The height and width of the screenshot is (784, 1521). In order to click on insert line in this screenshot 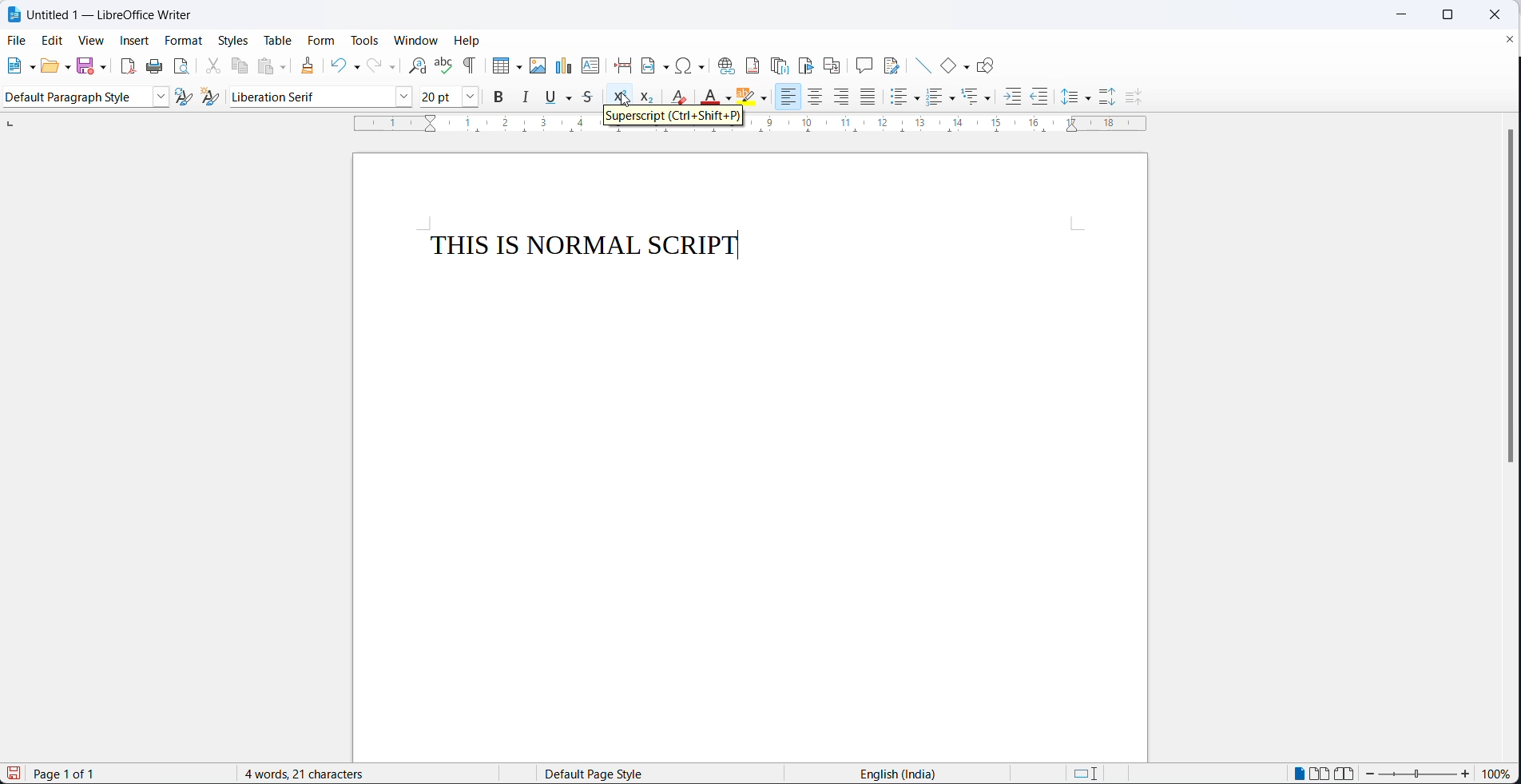, I will do `click(919, 62)`.